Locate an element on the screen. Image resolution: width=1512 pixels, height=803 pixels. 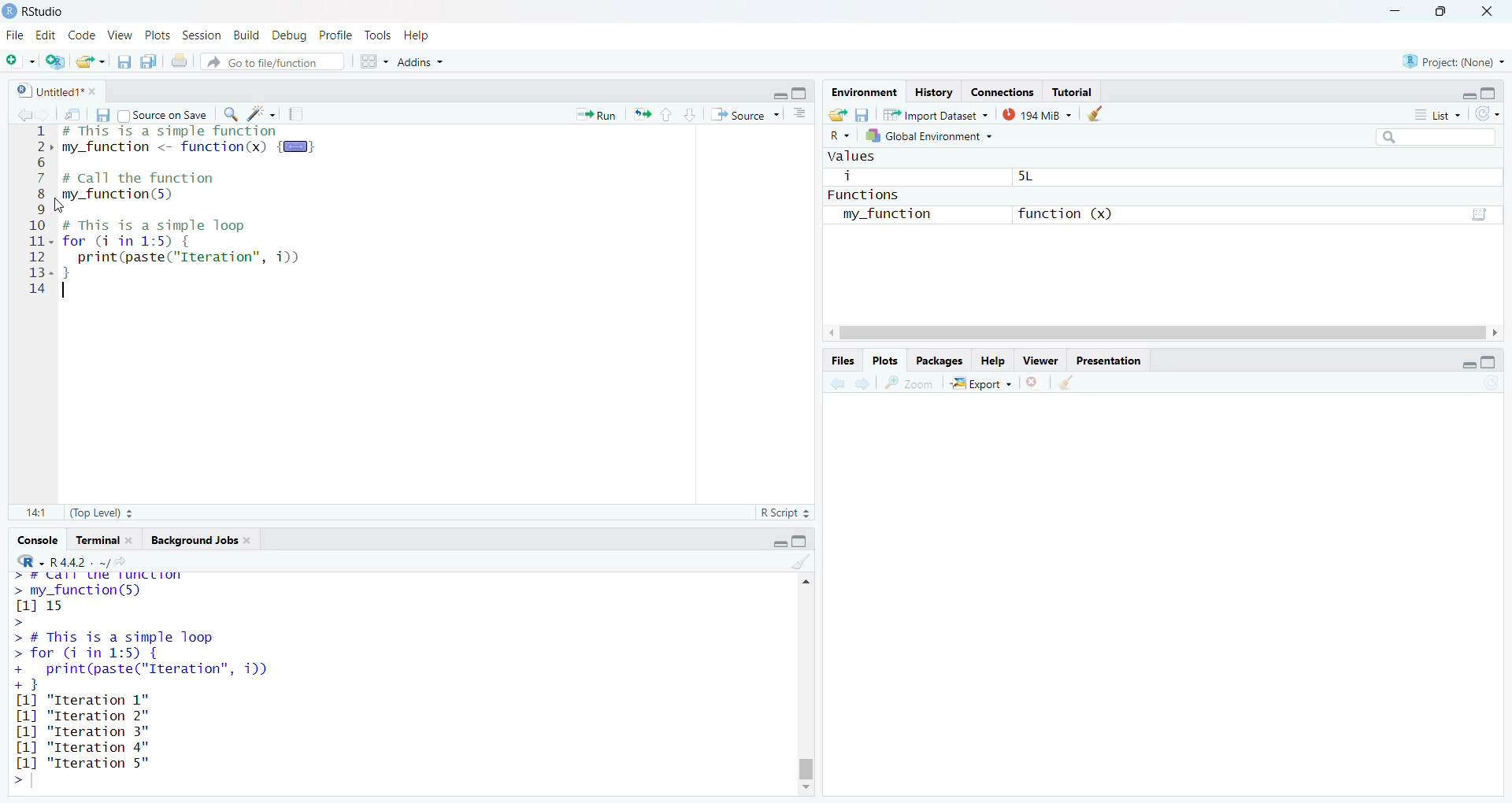
compile report is located at coordinates (300, 112).